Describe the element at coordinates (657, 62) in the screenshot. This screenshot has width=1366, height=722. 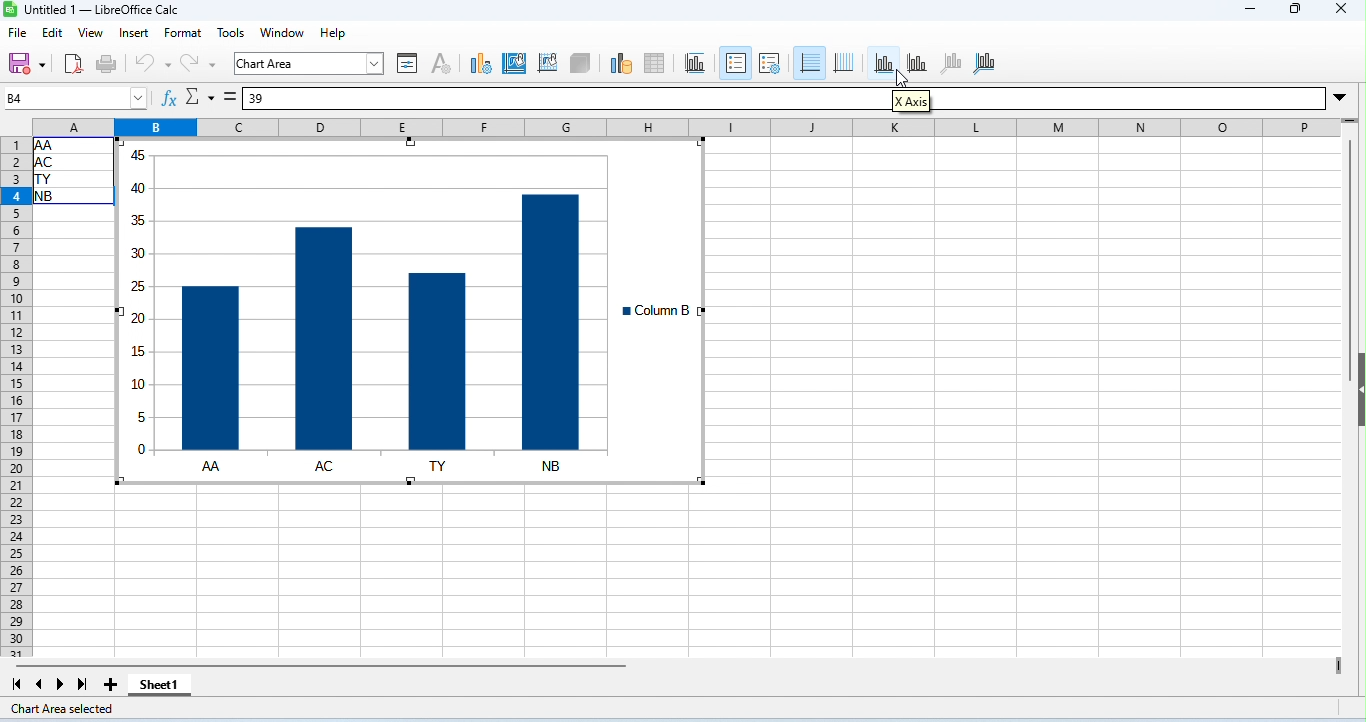
I see `data table` at that location.